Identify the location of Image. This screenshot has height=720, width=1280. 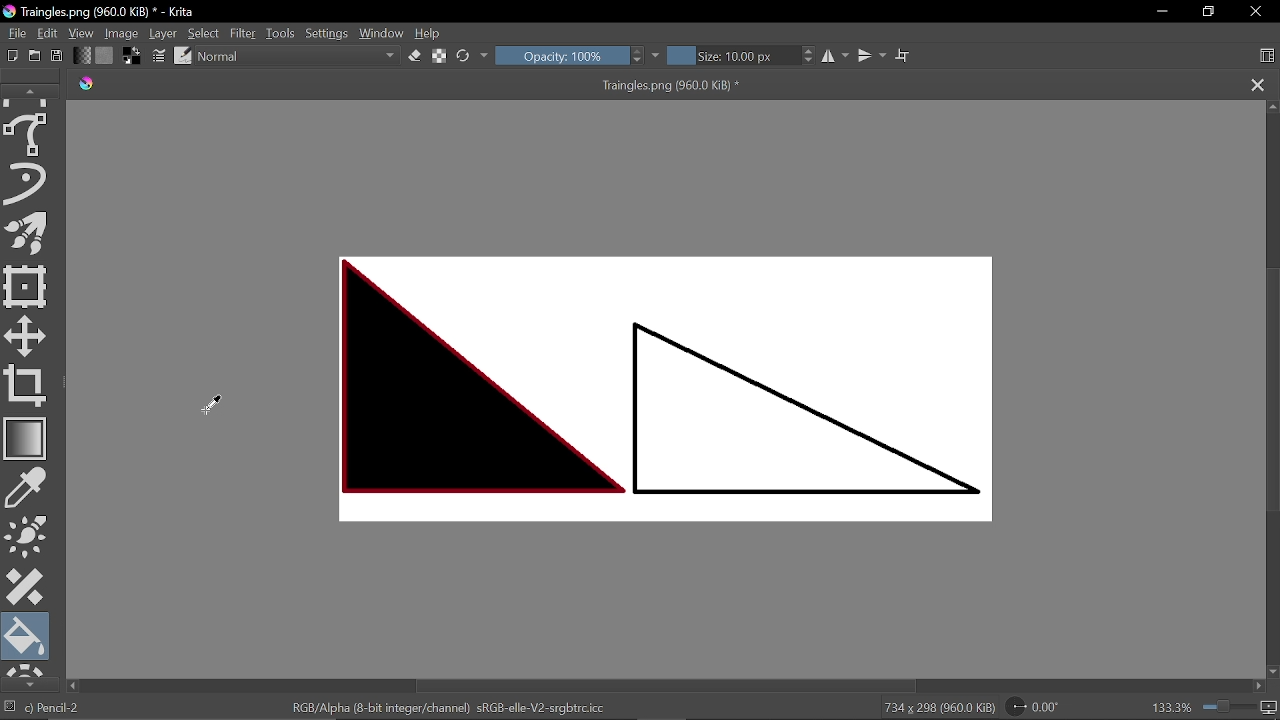
(123, 35).